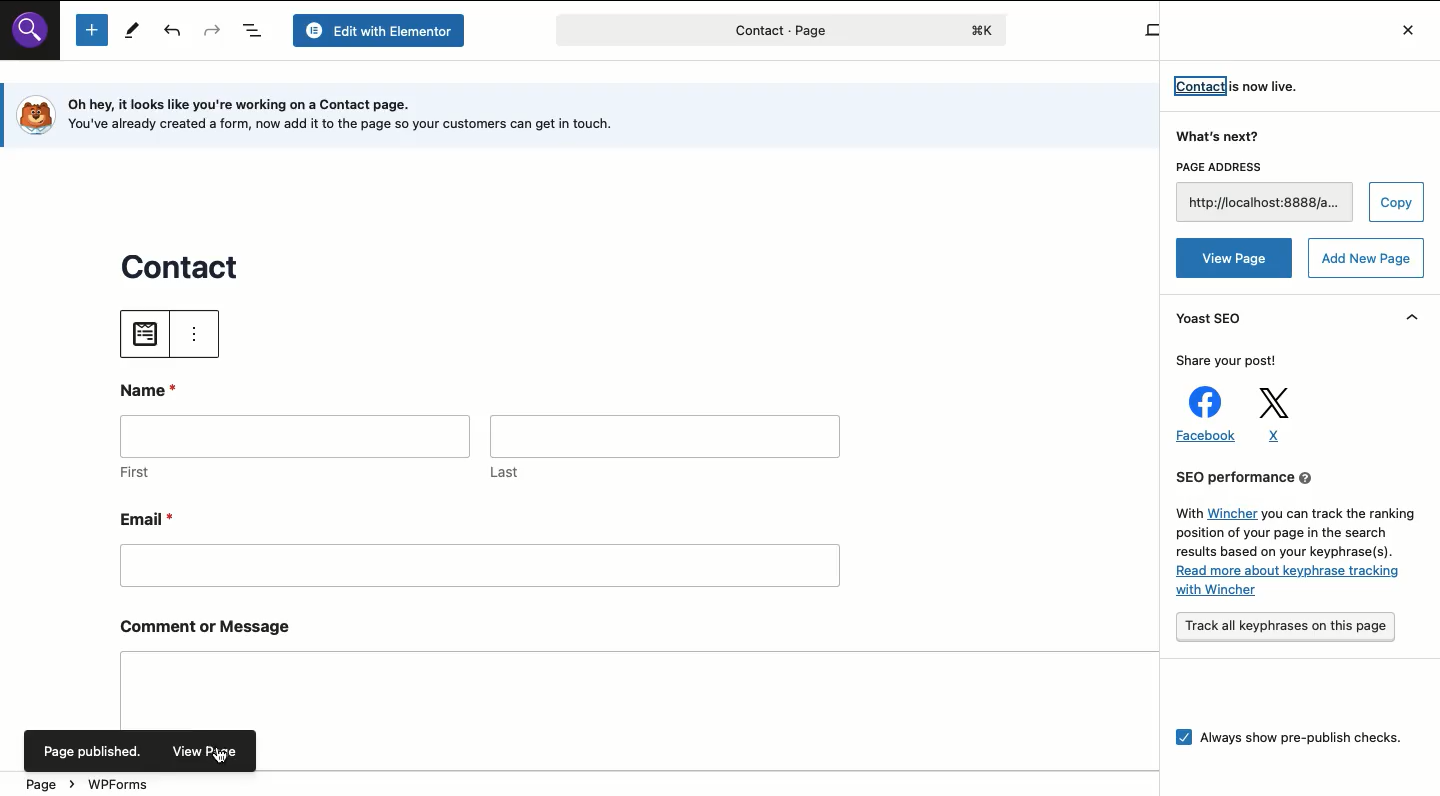  I want to click on Redo, so click(213, 32).